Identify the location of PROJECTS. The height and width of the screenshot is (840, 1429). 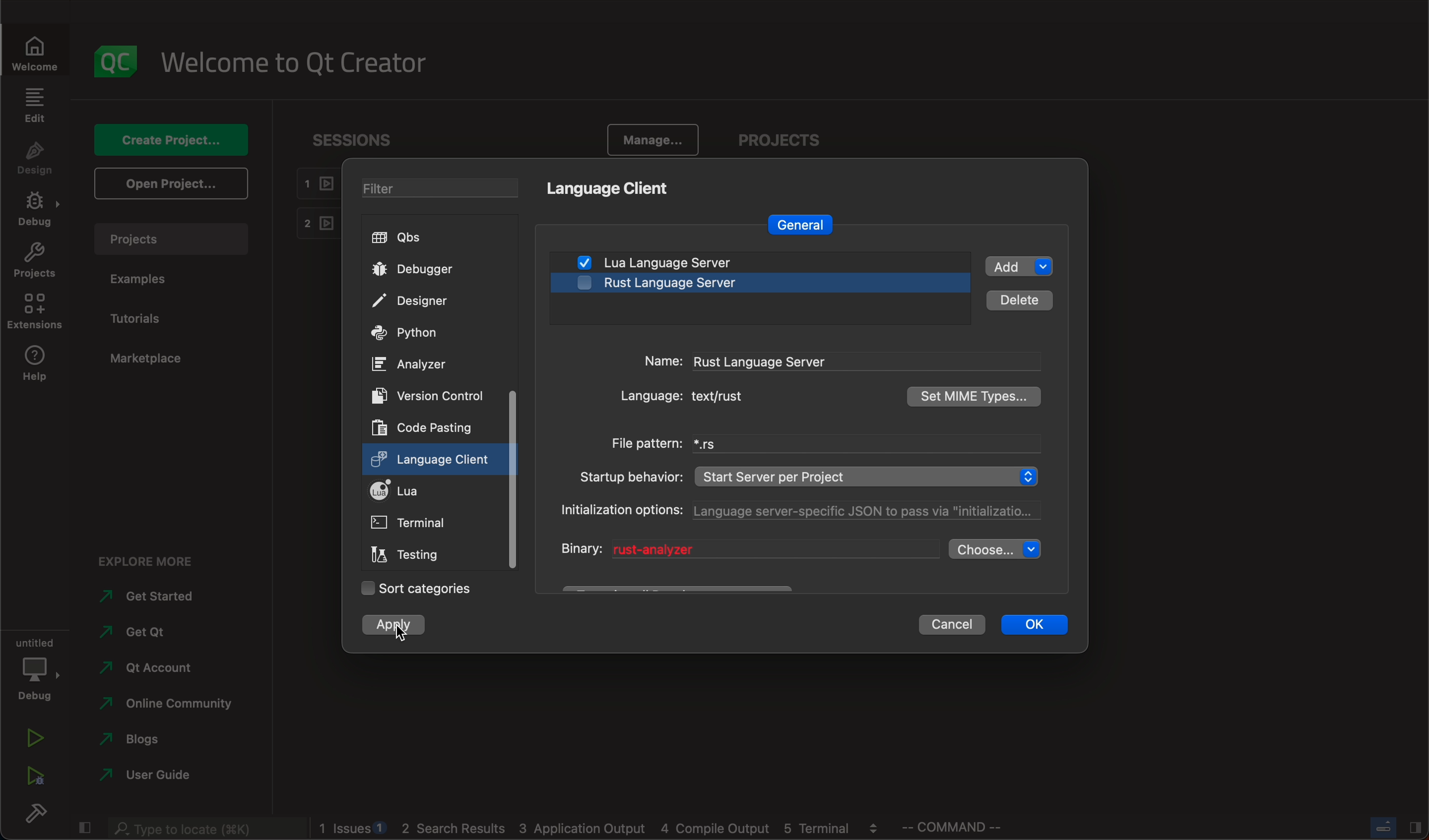
(784, 141).